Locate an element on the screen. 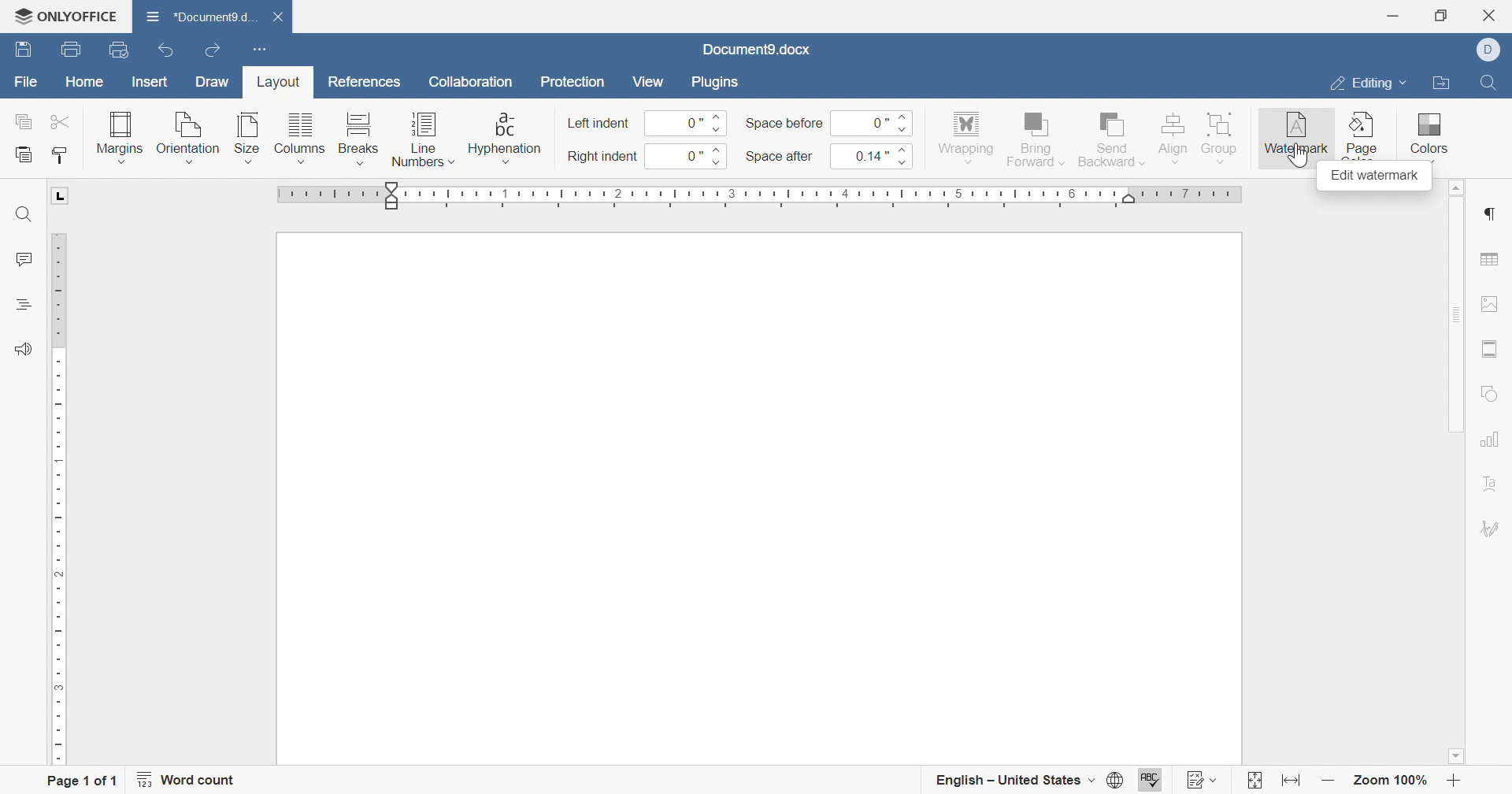  chart settings is located at coordinates (1489, 439).